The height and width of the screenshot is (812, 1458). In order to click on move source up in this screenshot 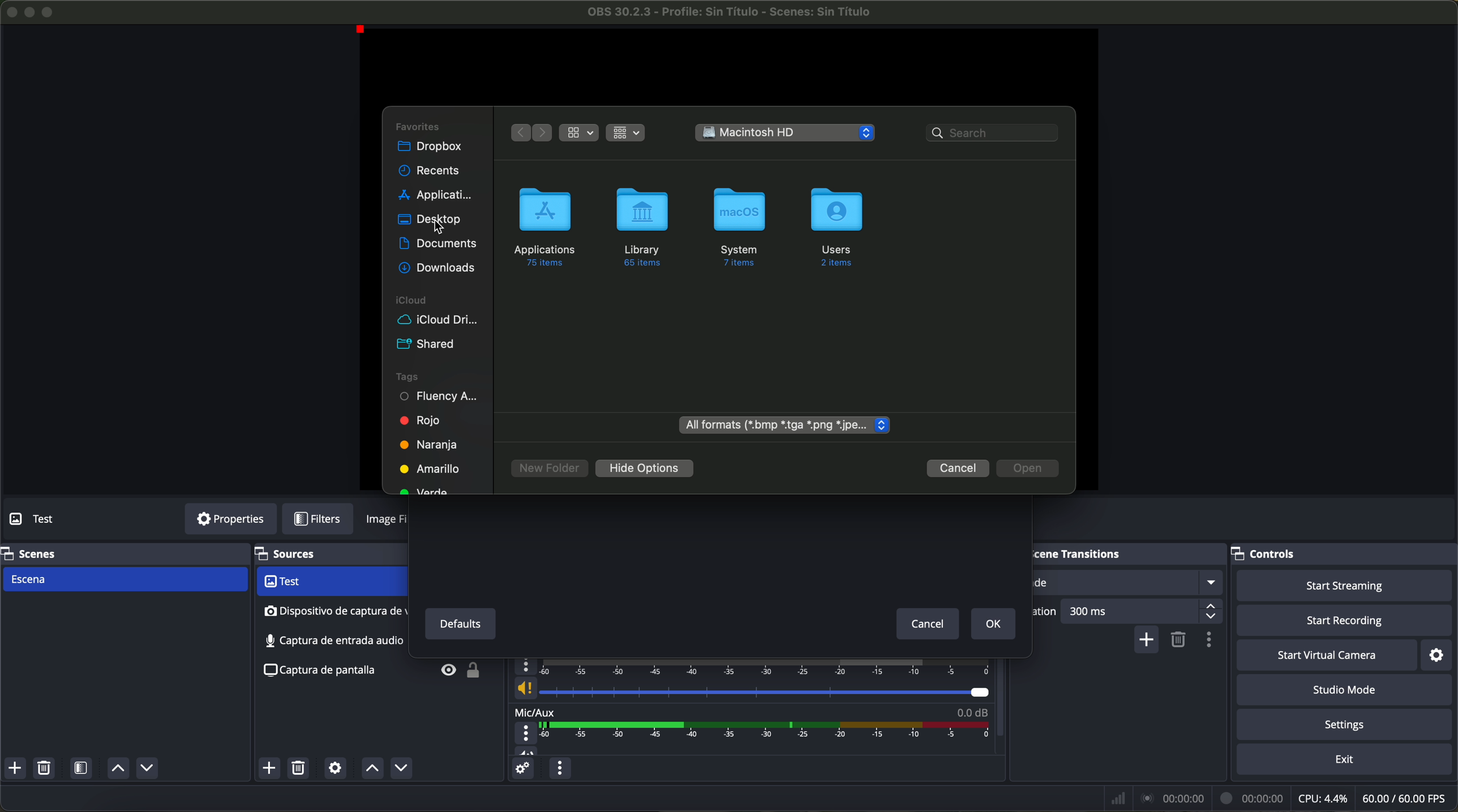, I will do `click(372, 768)`.